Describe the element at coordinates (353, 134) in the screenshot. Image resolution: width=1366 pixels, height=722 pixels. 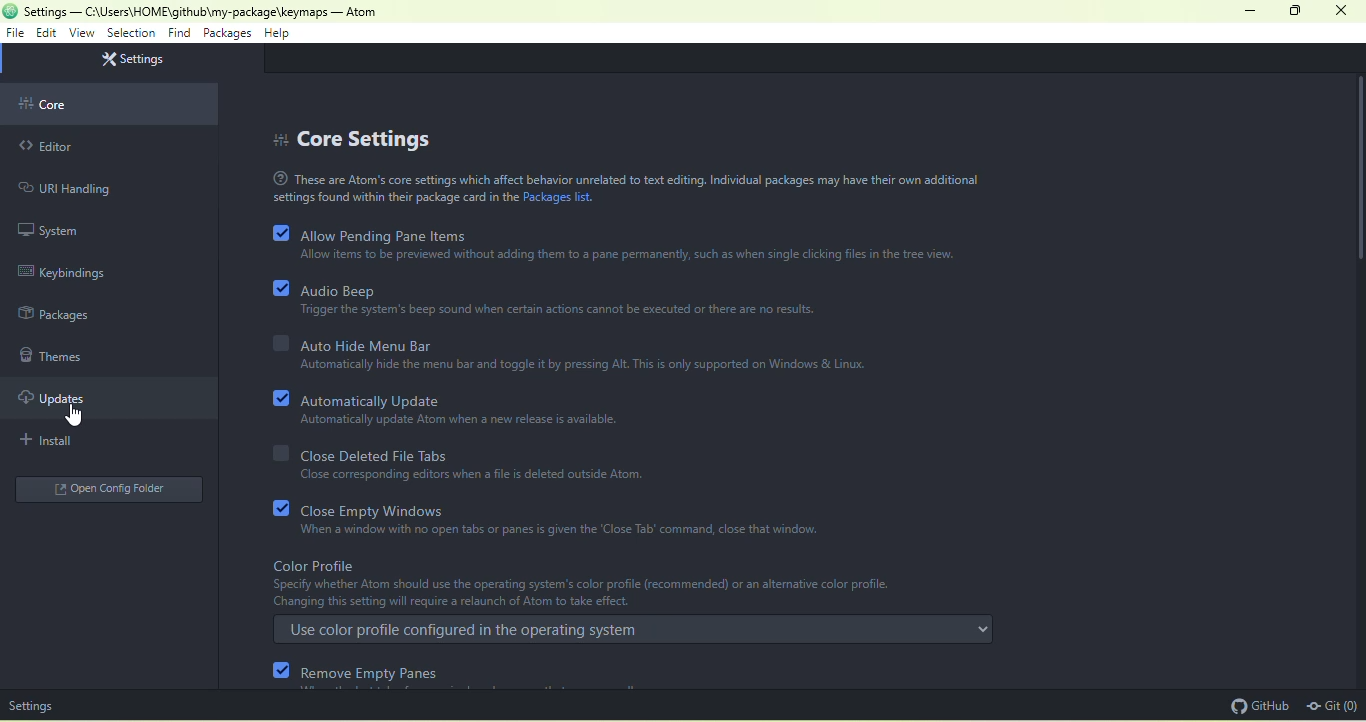
I see `core settings` at that location.